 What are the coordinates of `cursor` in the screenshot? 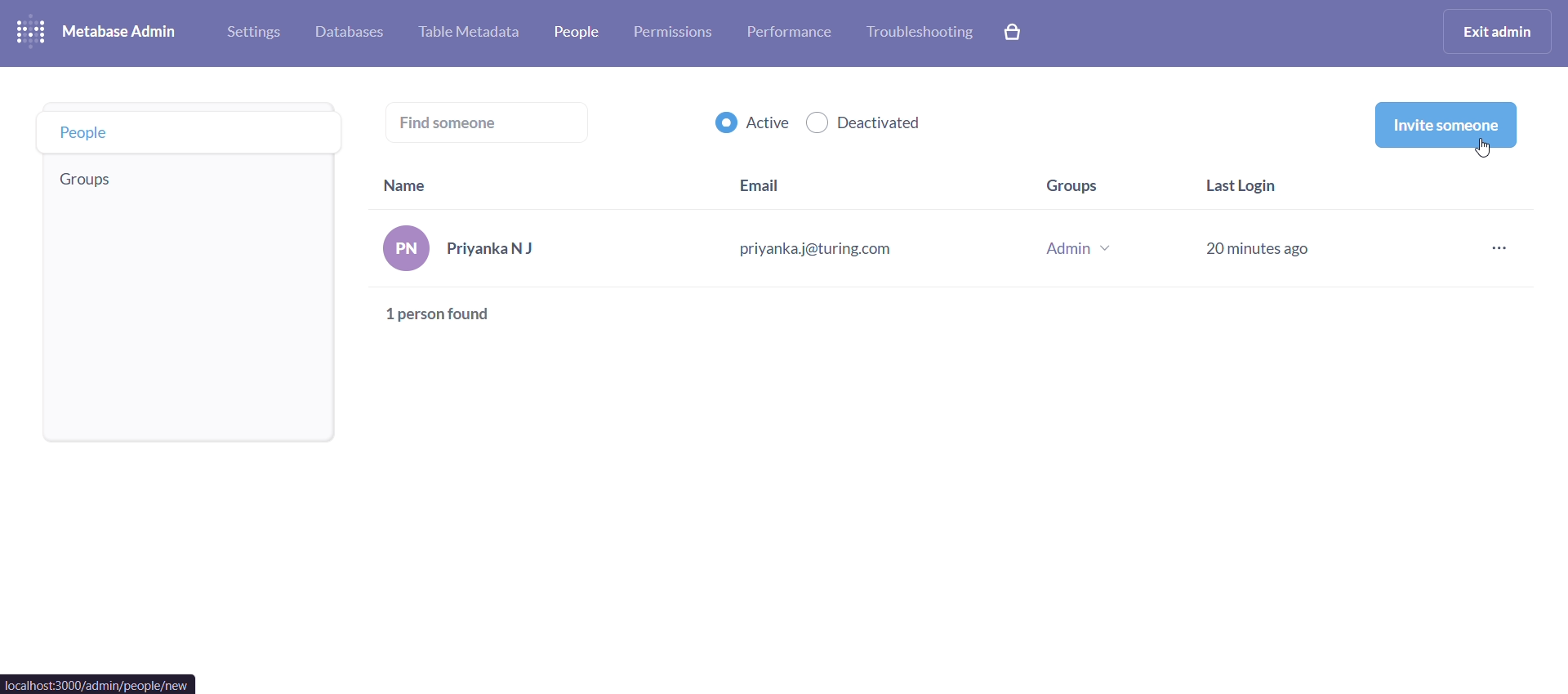 It's located at (1482, 149).